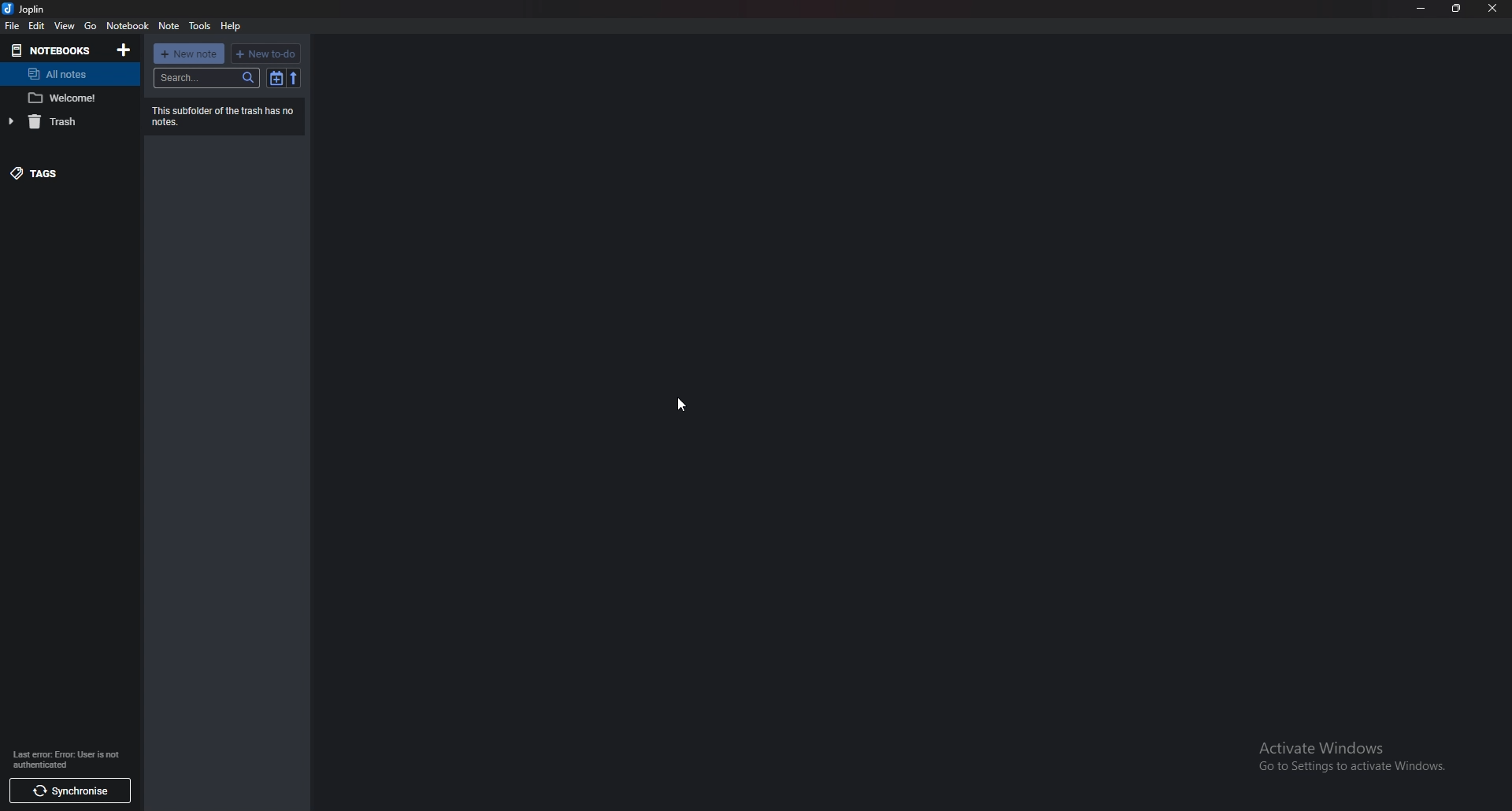 The width and height of the screenshot is (1512, 811). Describe the element at coordinates (1421, 8) in the screenshot. I see `Minimize` at that location.